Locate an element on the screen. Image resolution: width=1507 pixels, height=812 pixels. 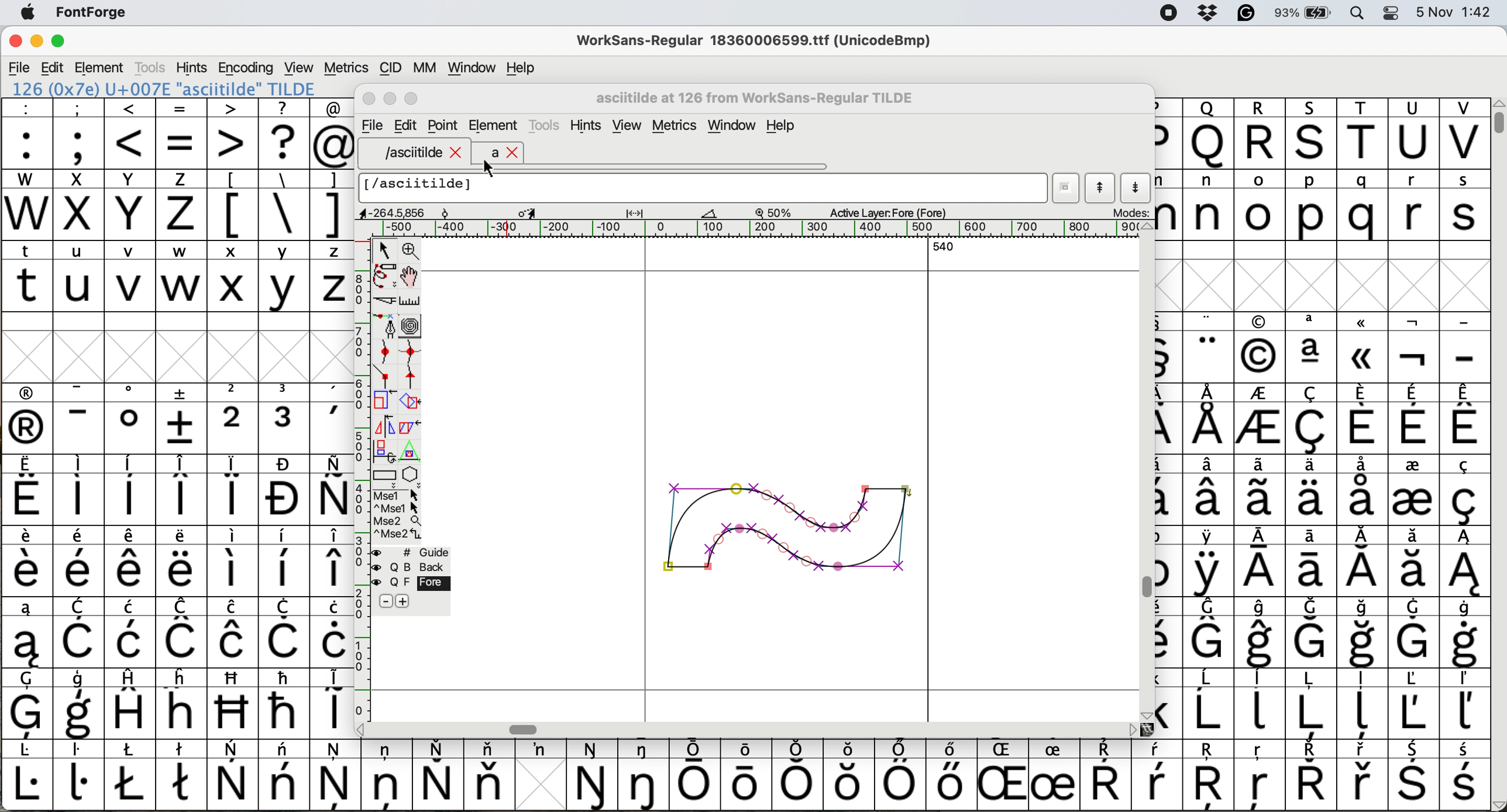
symbol is located at coordinates (183, 773).